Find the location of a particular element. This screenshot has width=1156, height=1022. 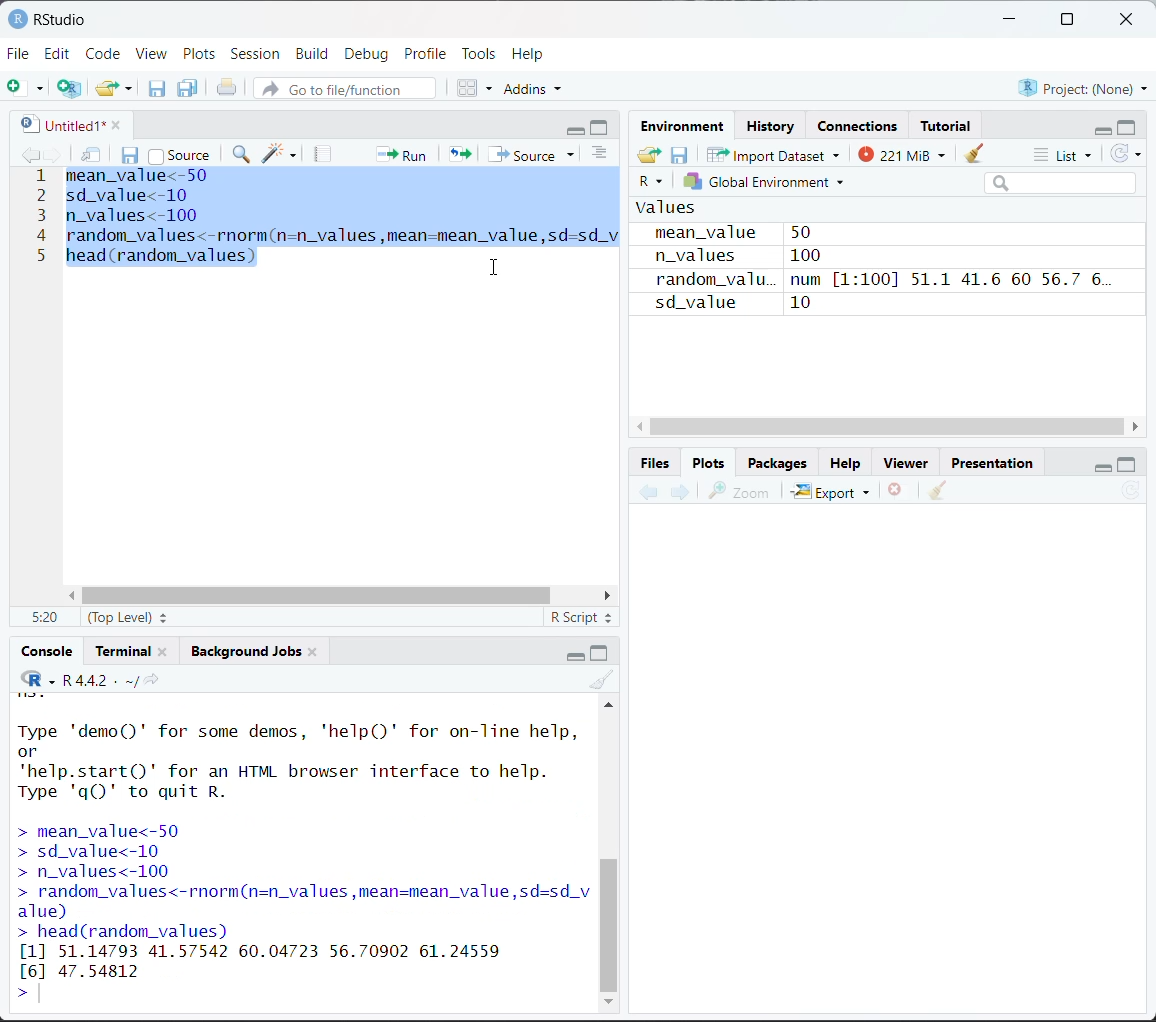

run is located at coordinates (399, 153).